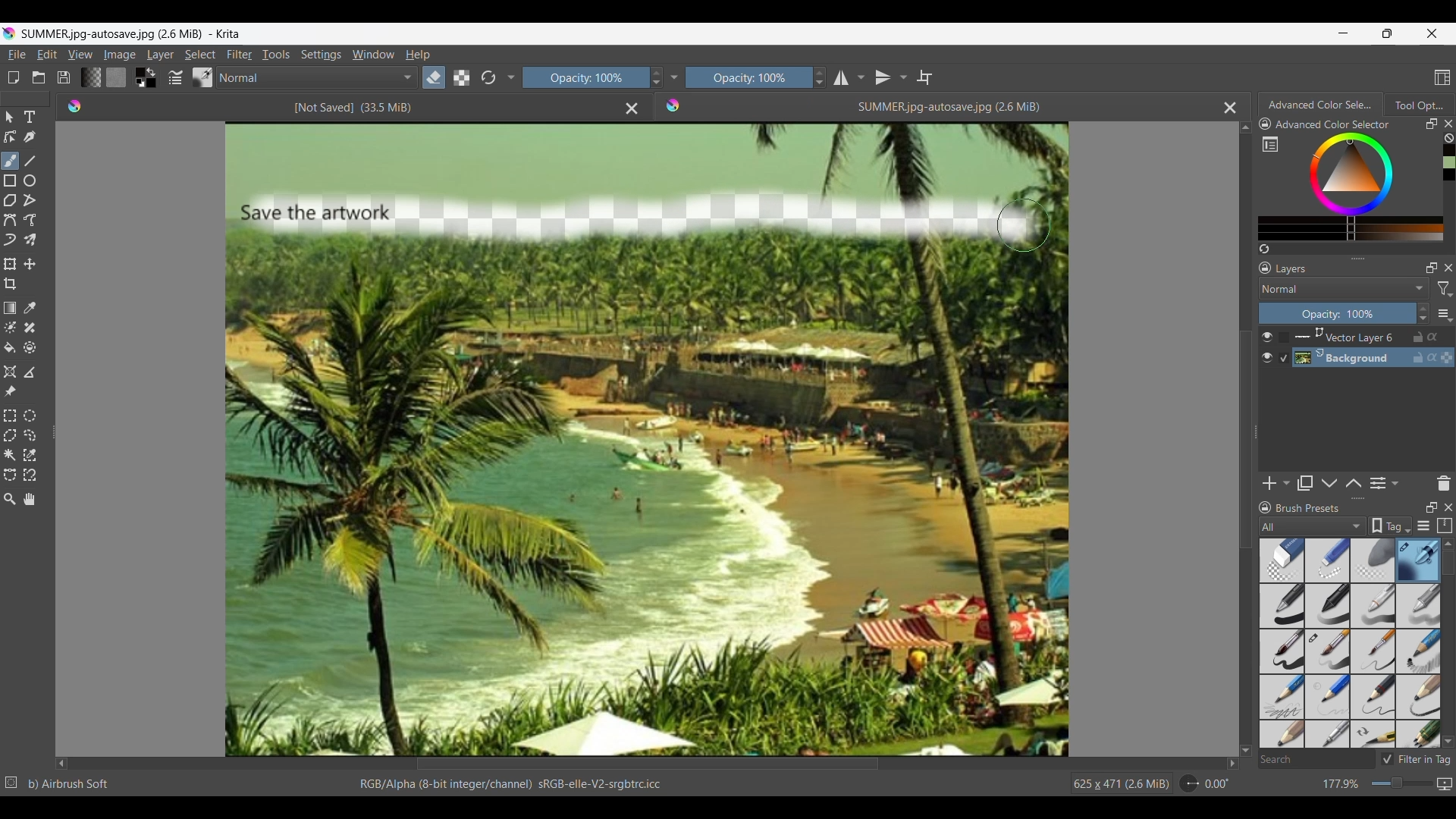 Image resolution: width=1456 pixels, height=819 pixels. What do you see at coordinates (1448, 644) in the screenshot?
I see `Vertical slide bar for Brush presets panel` at bounding box center [1448, 644].